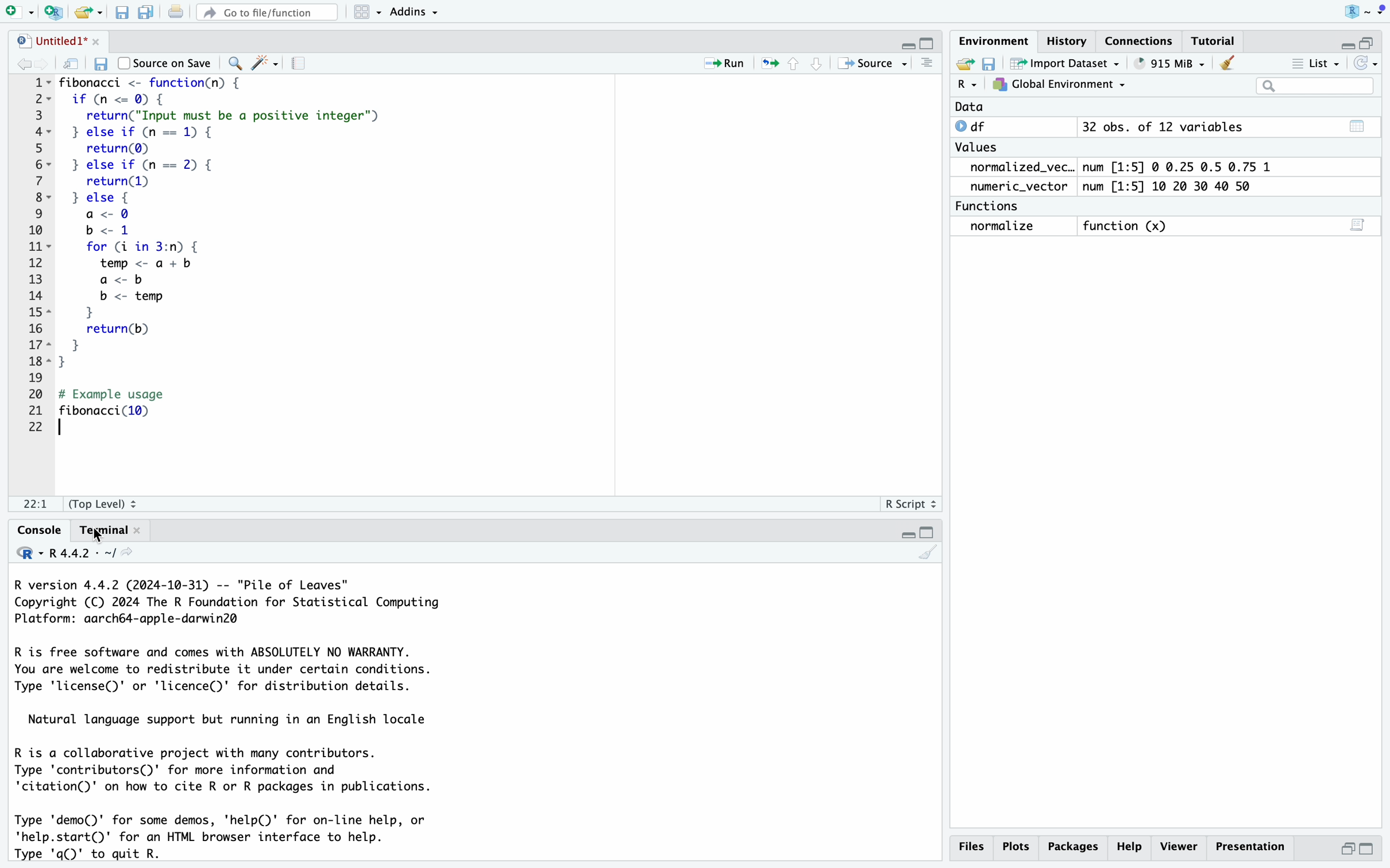  I want to click on go to previous chunk/section, so click(794, 66).